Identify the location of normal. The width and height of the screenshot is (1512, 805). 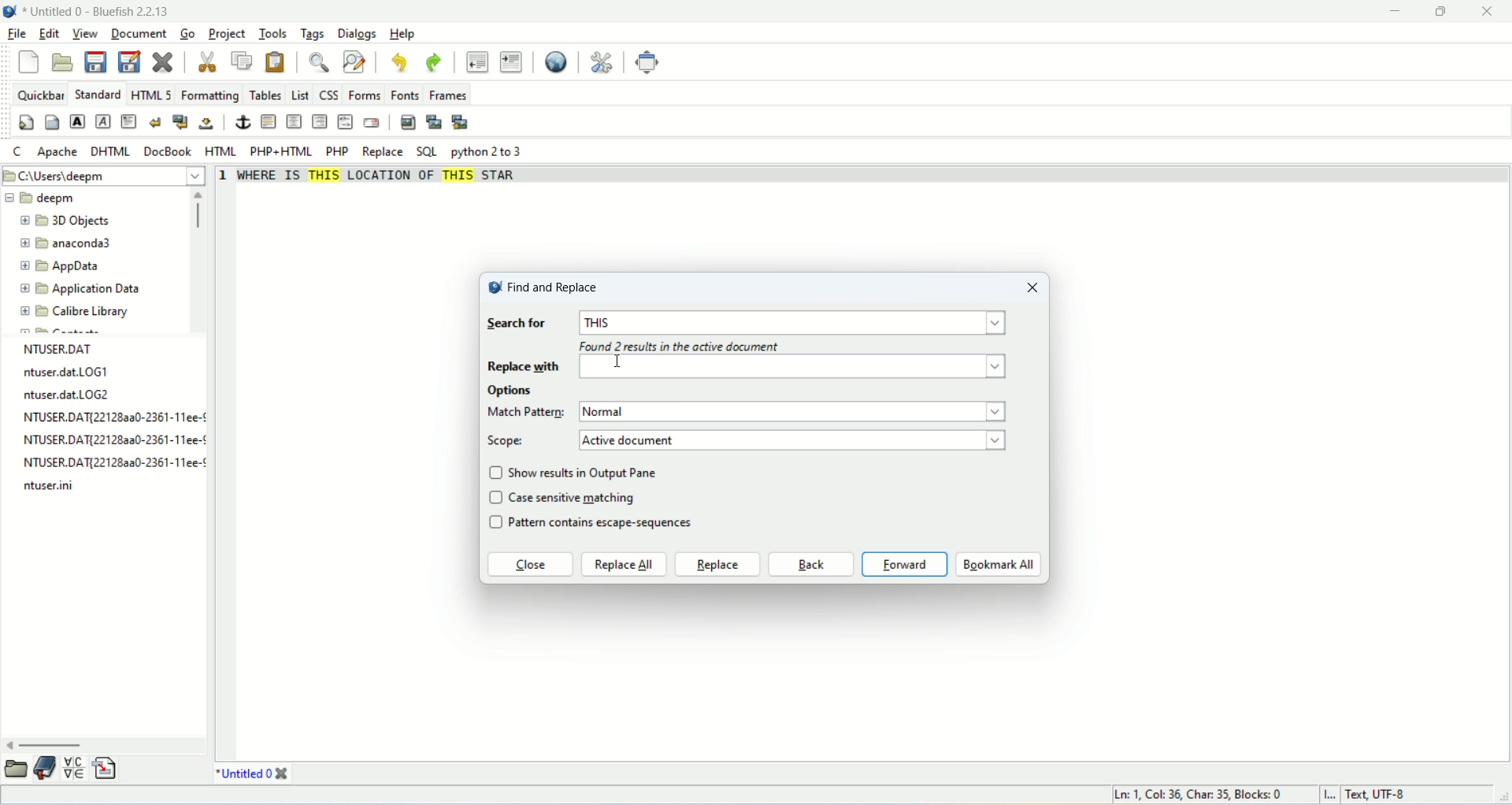
(797, 412).